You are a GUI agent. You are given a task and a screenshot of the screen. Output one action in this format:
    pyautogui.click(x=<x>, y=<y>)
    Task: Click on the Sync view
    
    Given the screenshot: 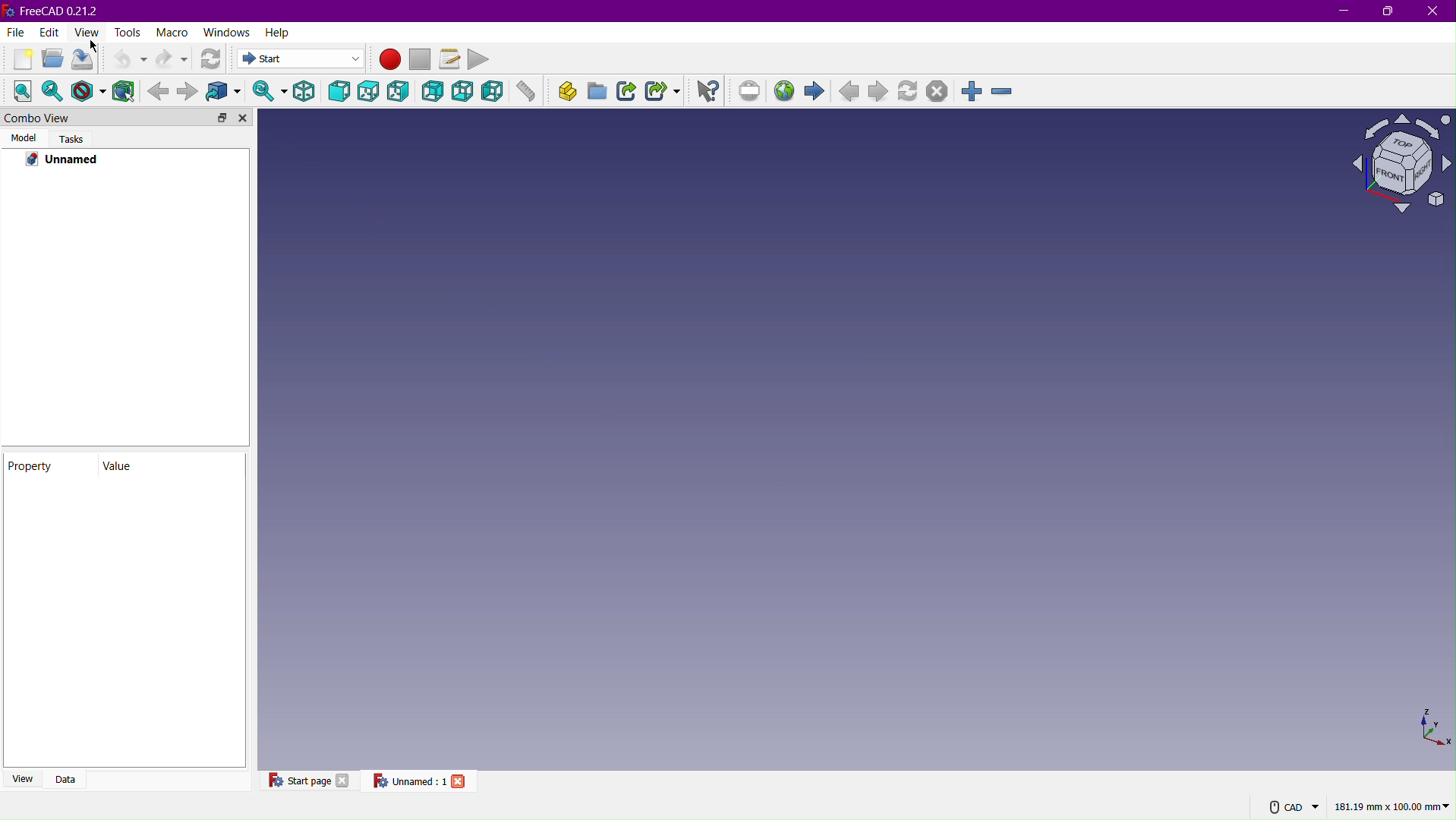 What is the action you would take?
    pyautogui.click(x=269, y=92)
    